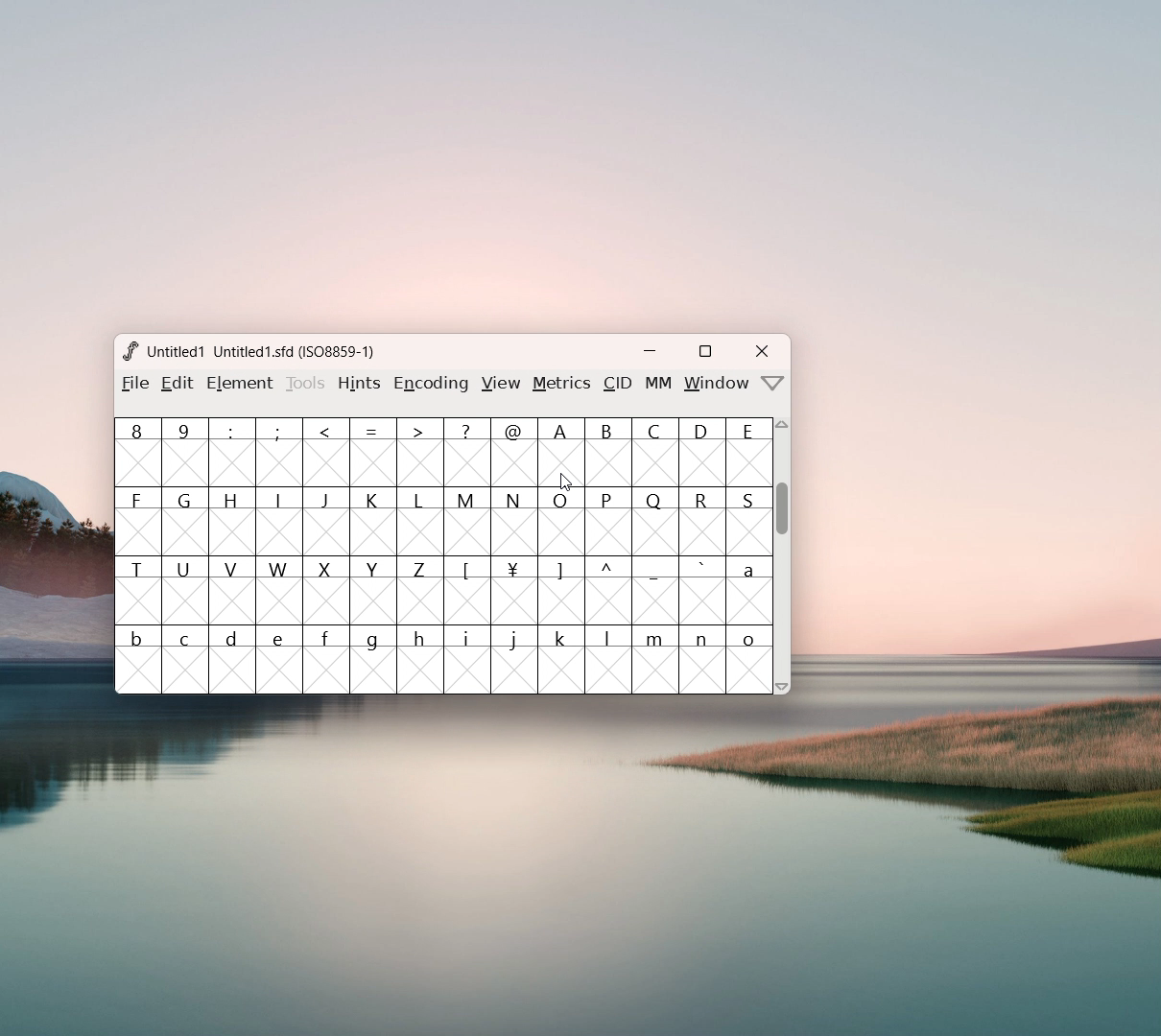 This screenshot has width=1161, height=1036. I want to click on m, so click(656, 659).